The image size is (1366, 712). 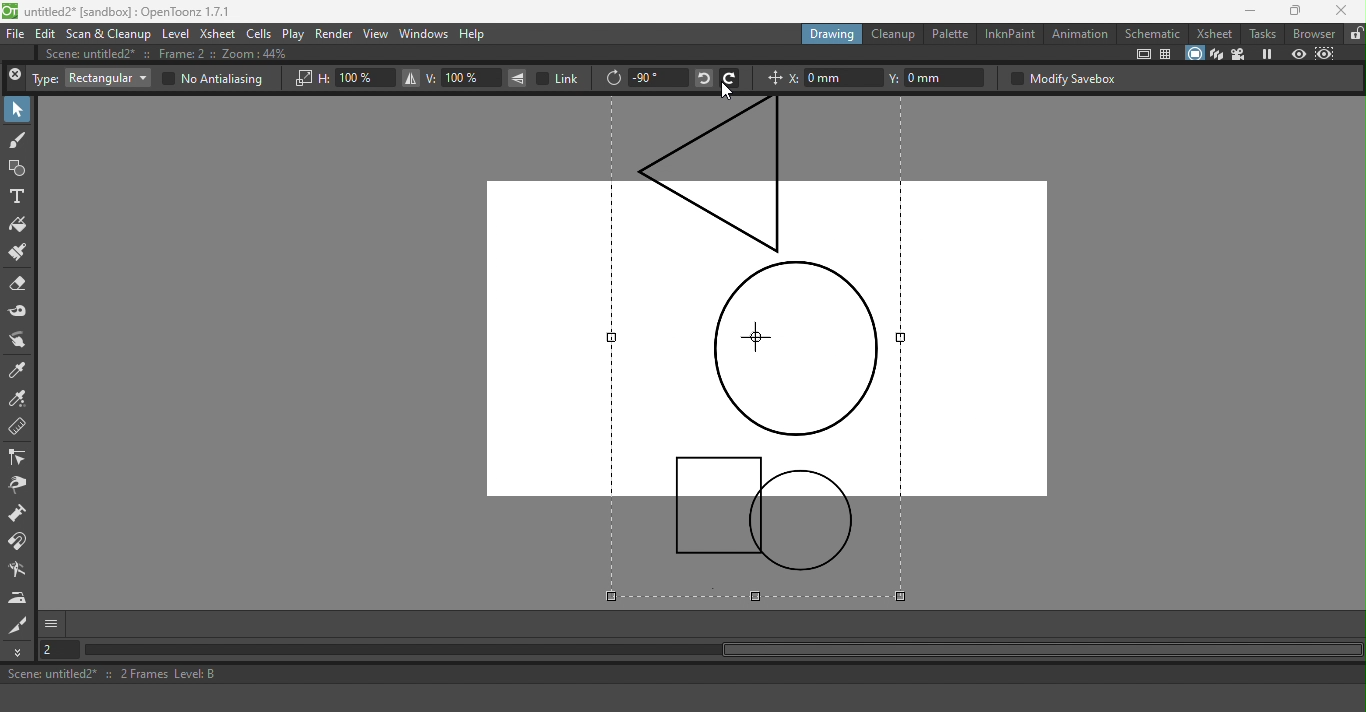 I want to click on No Antialiasing, so click(x=211, y=79).